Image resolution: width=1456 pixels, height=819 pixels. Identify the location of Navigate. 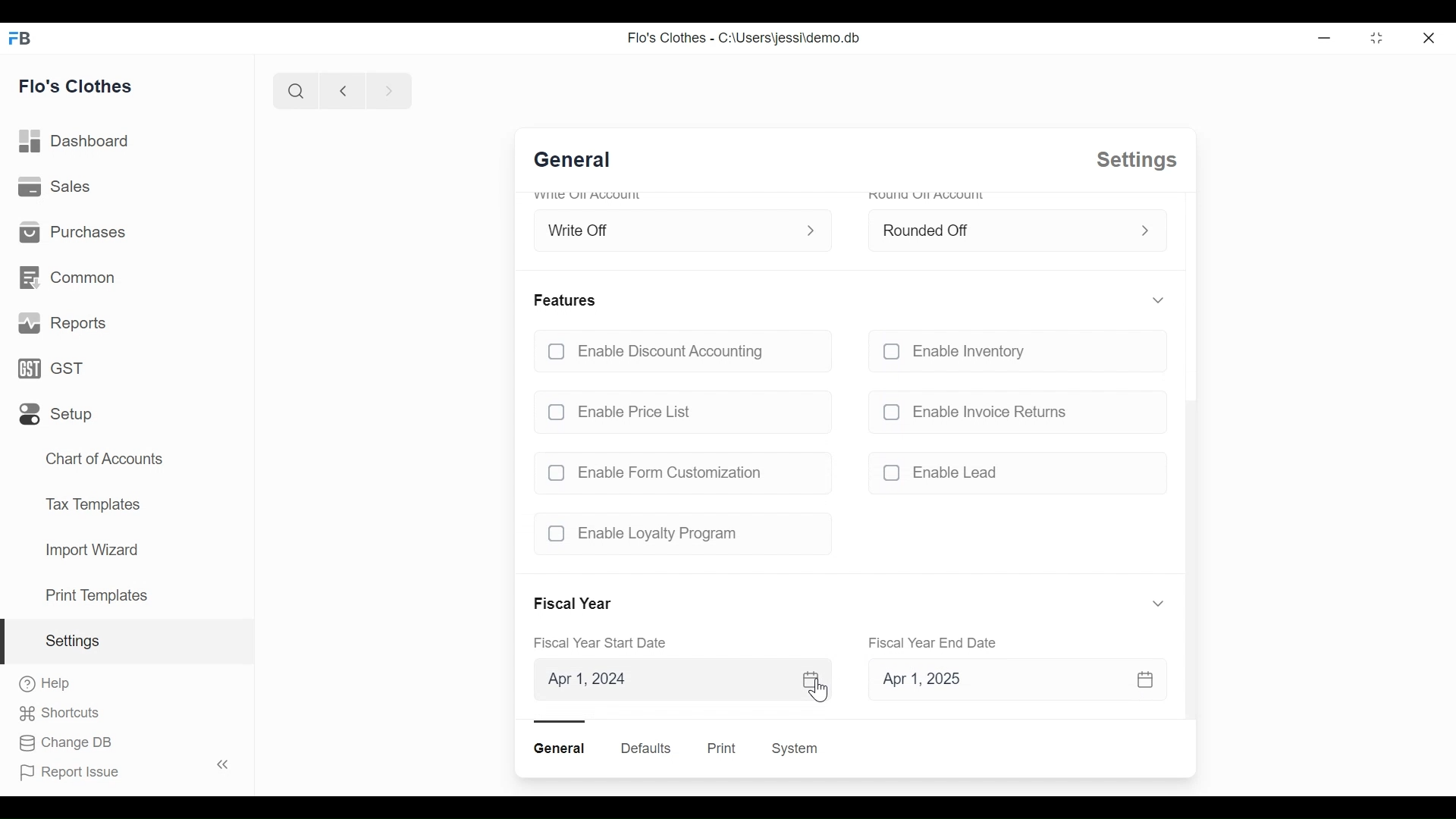
(387, 89).